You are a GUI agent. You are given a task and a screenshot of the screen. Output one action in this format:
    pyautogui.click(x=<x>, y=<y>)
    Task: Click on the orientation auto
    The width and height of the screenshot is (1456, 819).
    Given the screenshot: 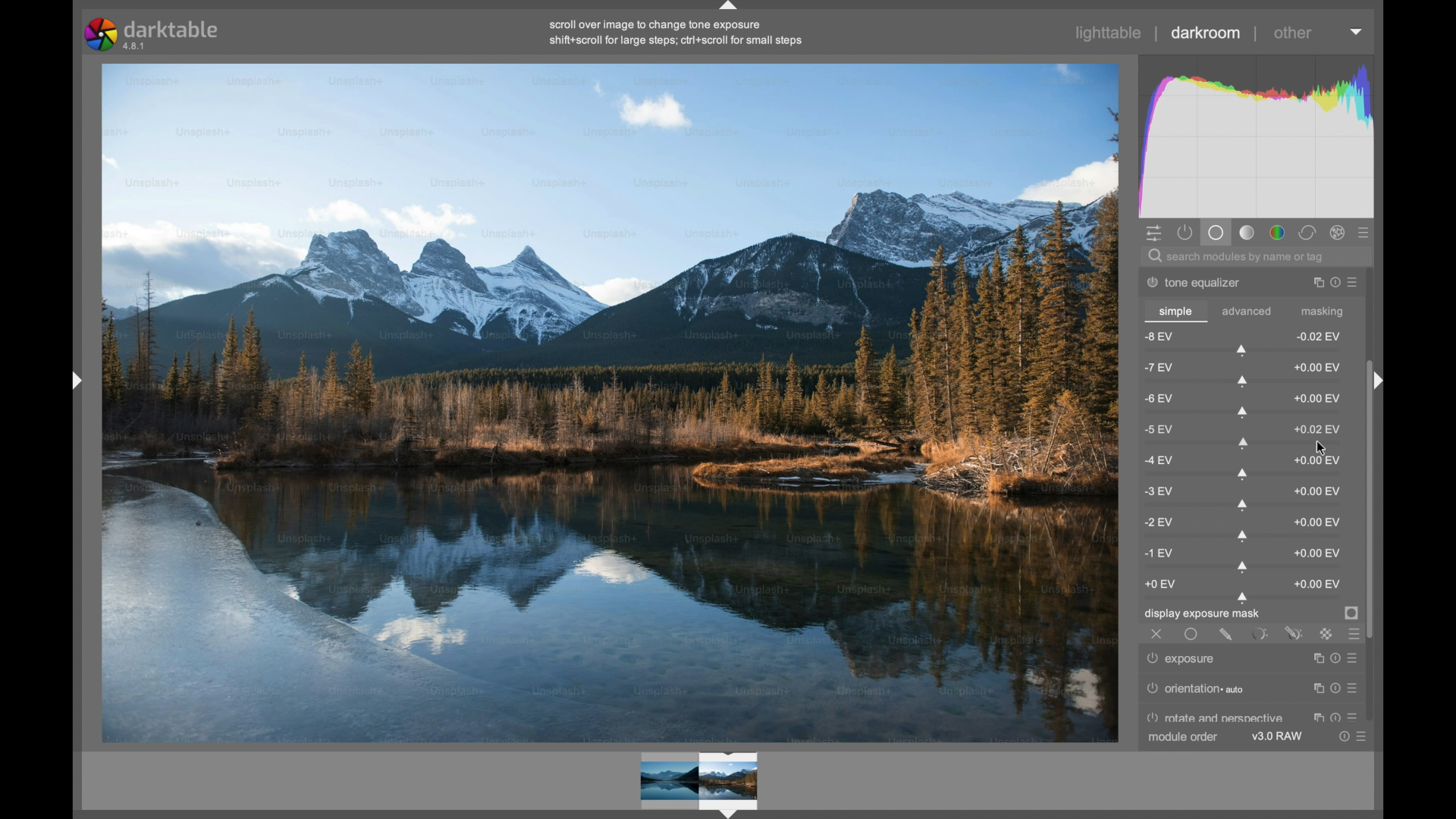 What is the action you would take?
    pyautogui.click(x=1202, y=690)
    